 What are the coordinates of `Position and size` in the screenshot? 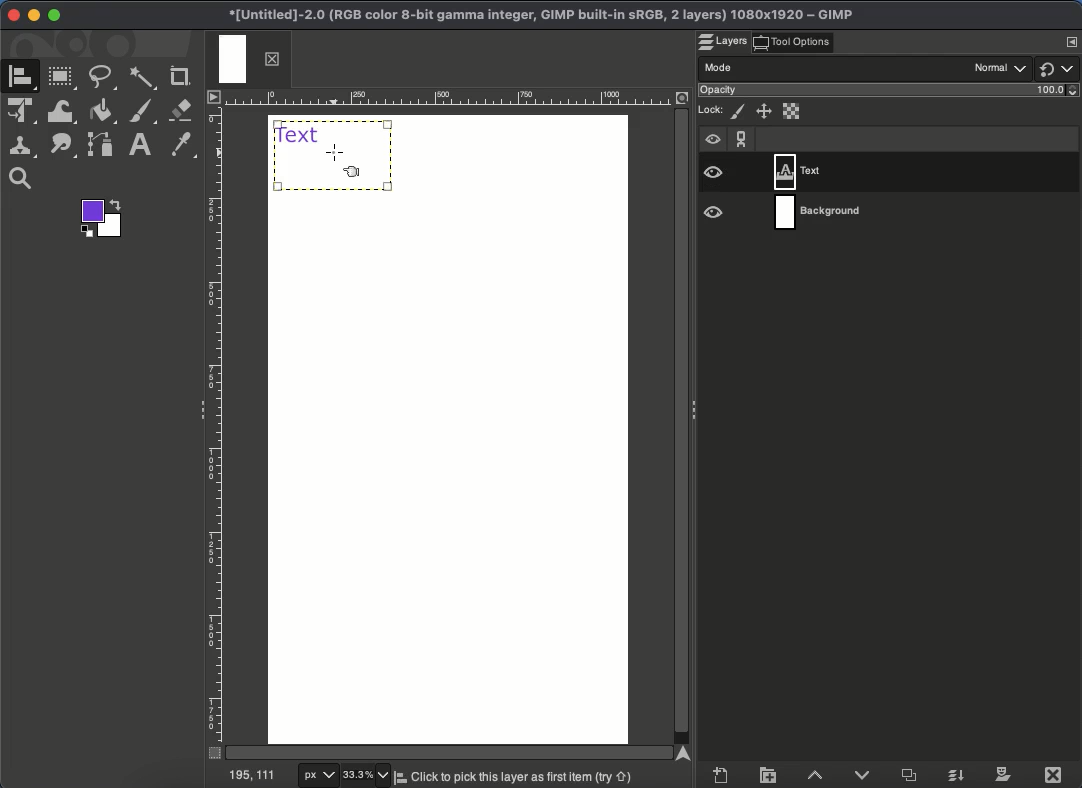 It's located at (762, 111).